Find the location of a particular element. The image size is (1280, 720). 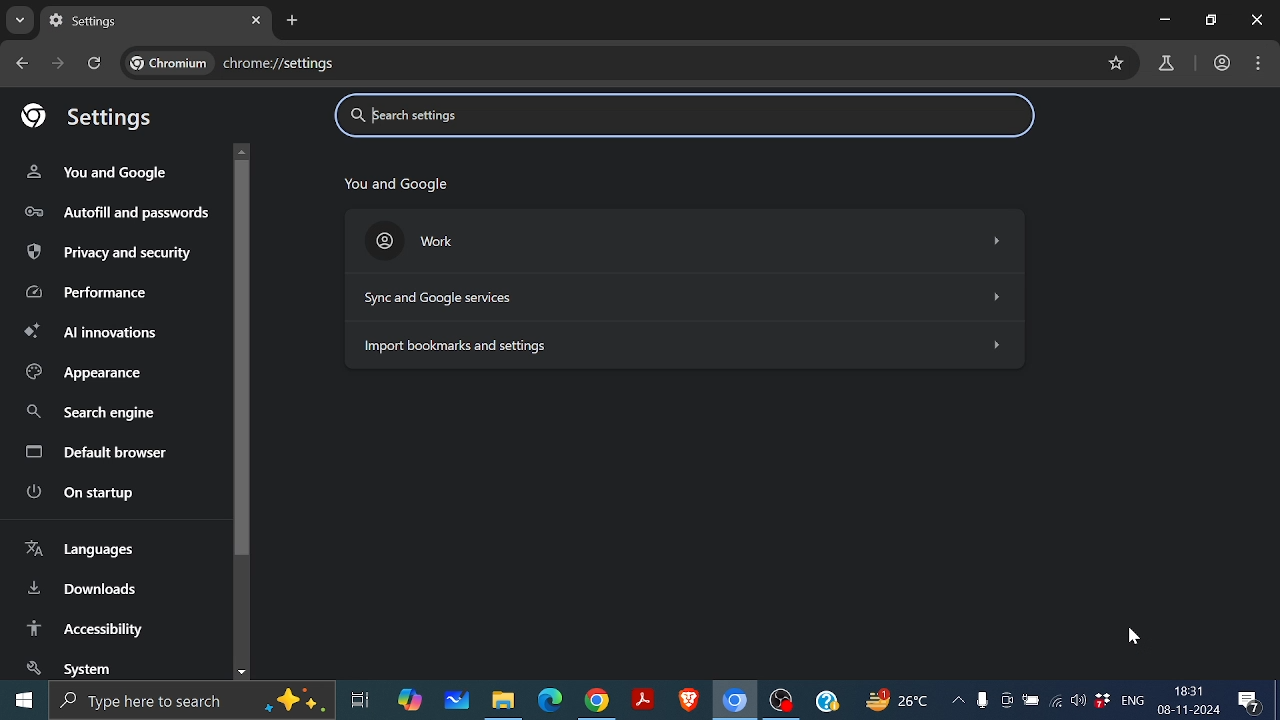

sound is located at coordinates (1078, 704).